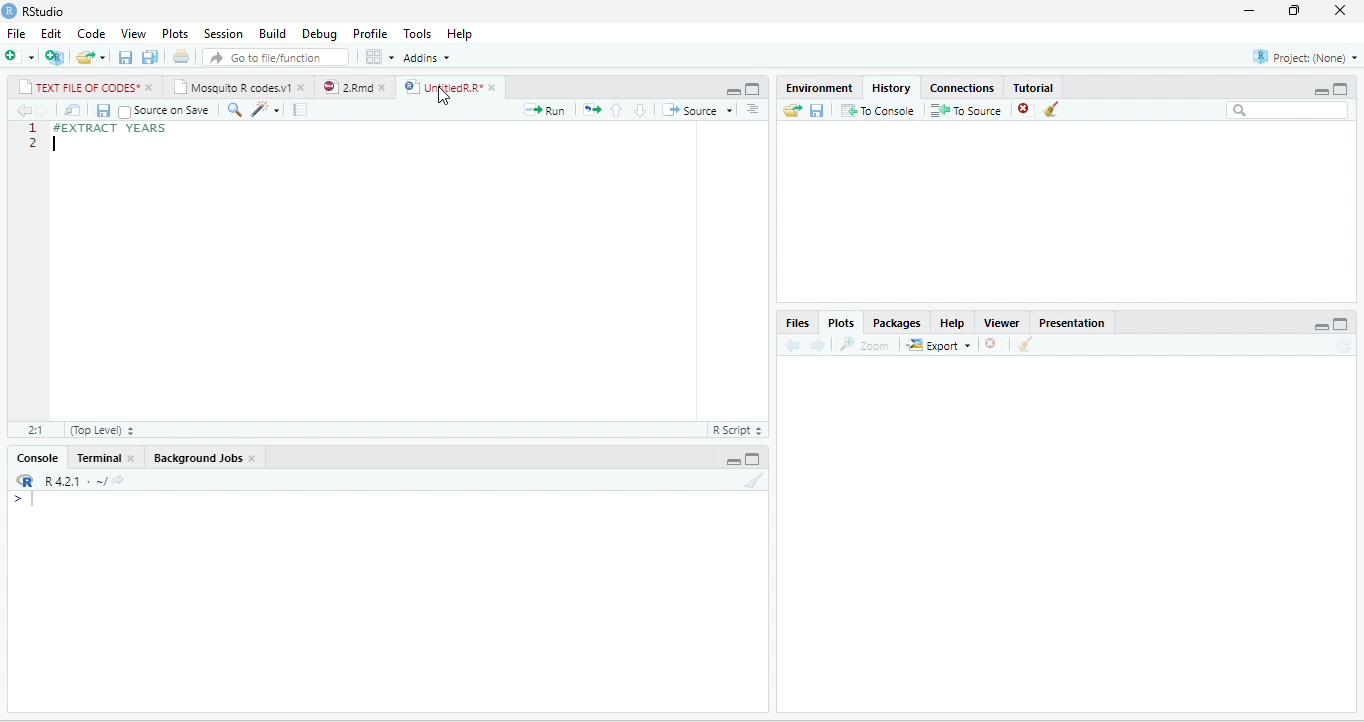 This screenshot has height=722, width=1364. I want to click on Zoom, so click(864, 344).